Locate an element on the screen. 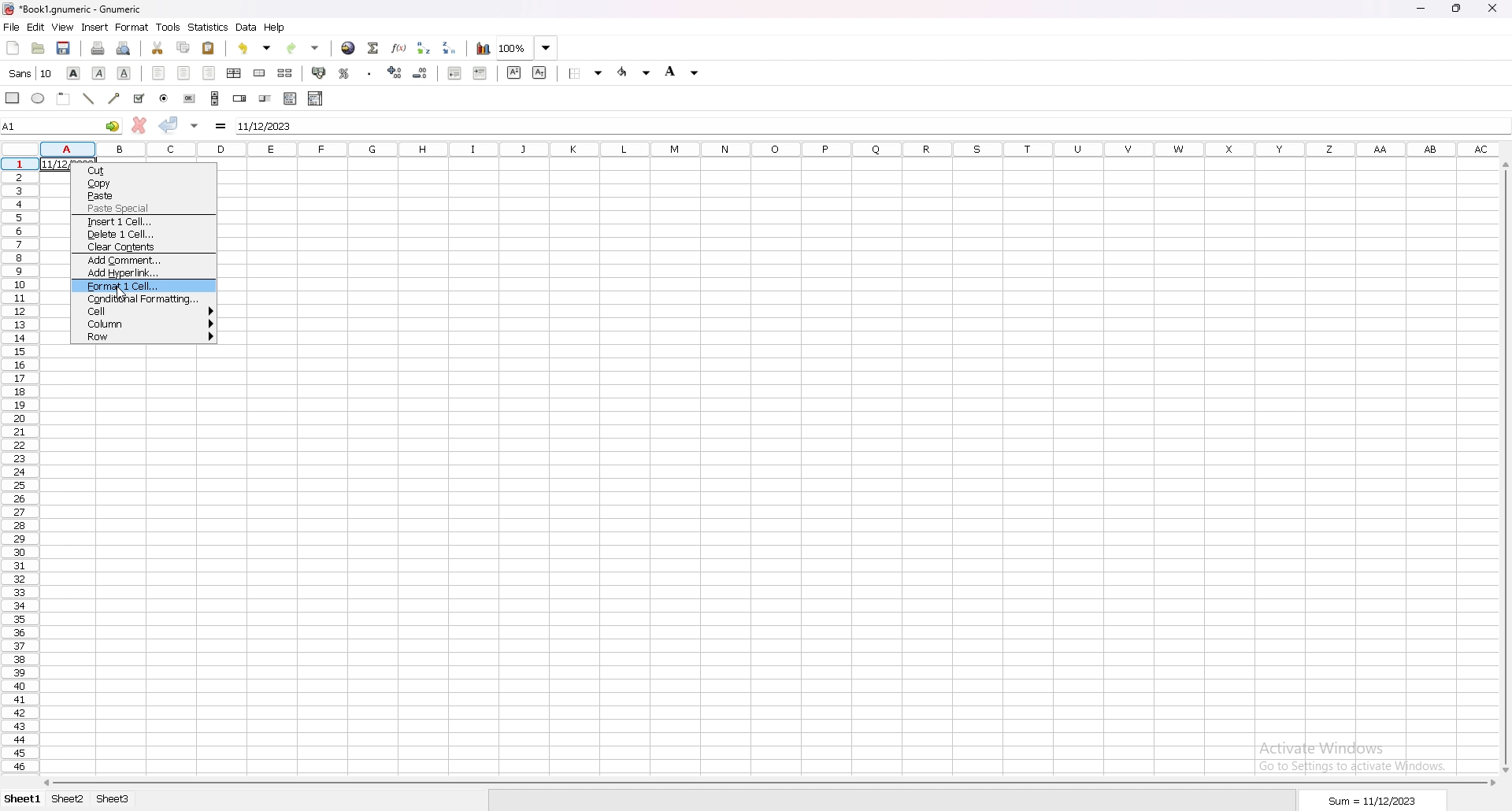 The image size is (1512, 811). thousands separator is located at coordinates (370, 72).